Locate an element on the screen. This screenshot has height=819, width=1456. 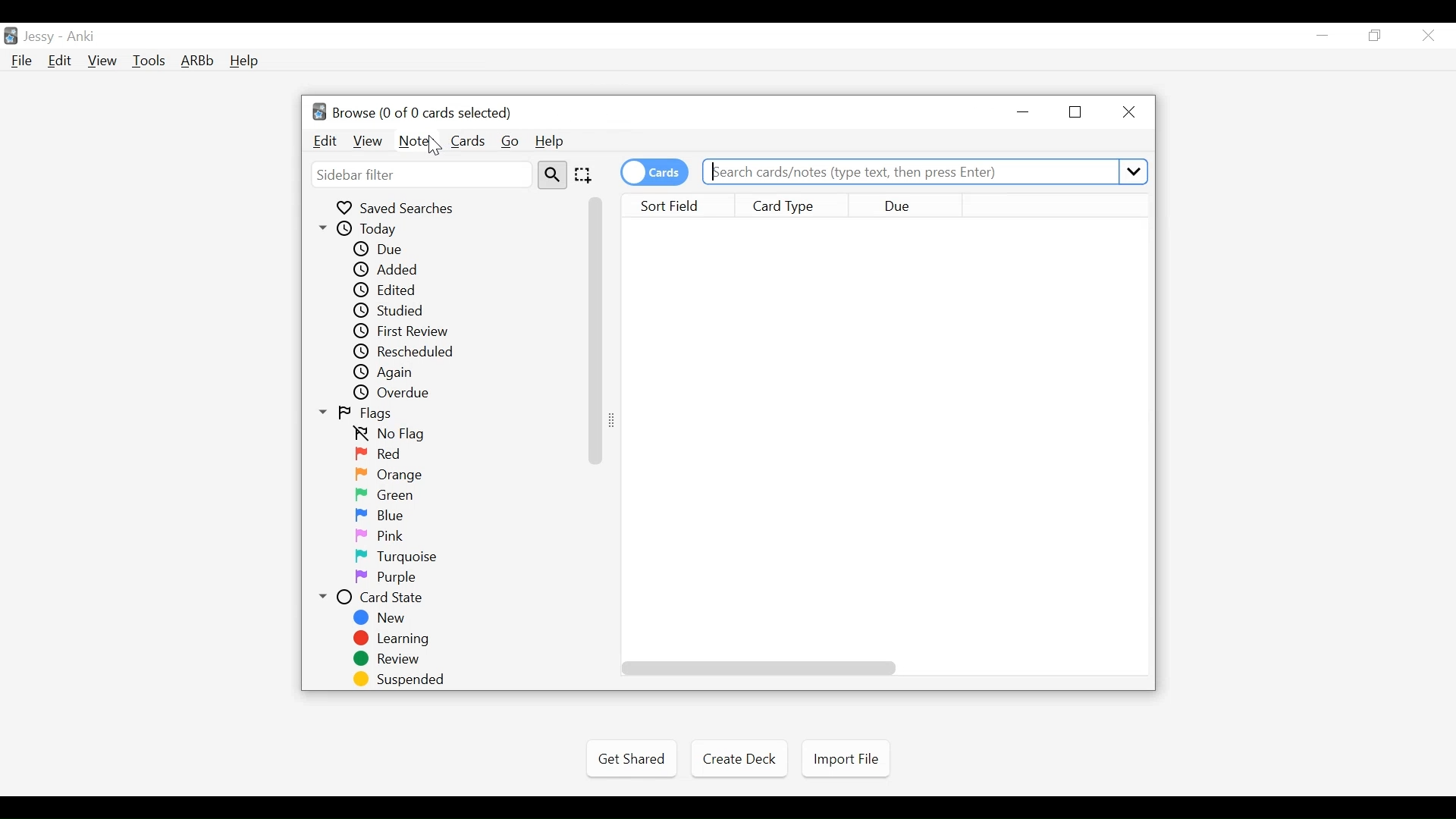
Cursor is located at coordinates (435, 146).